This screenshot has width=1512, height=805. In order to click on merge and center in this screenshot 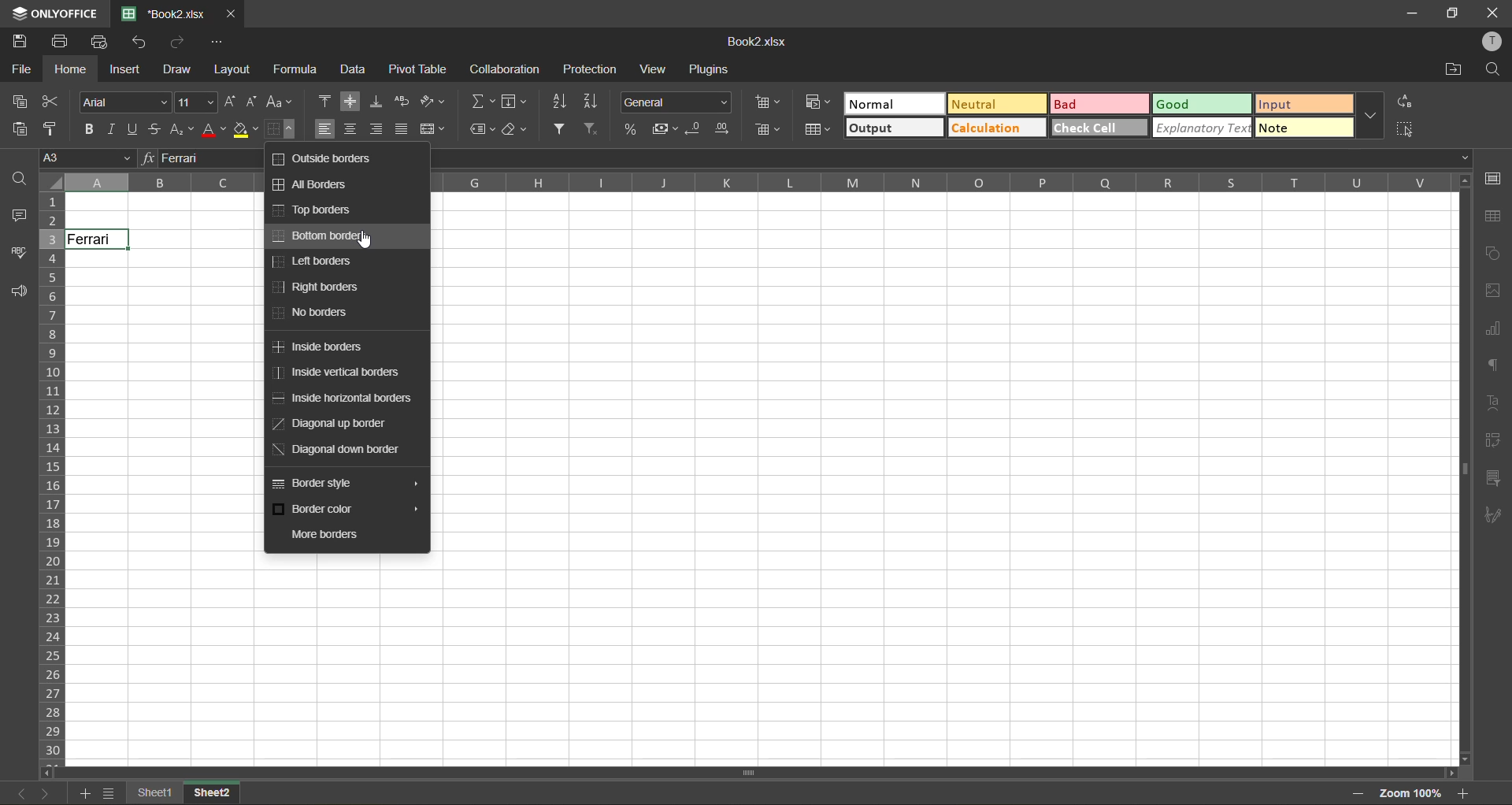, I will do `click(431, 127)`.